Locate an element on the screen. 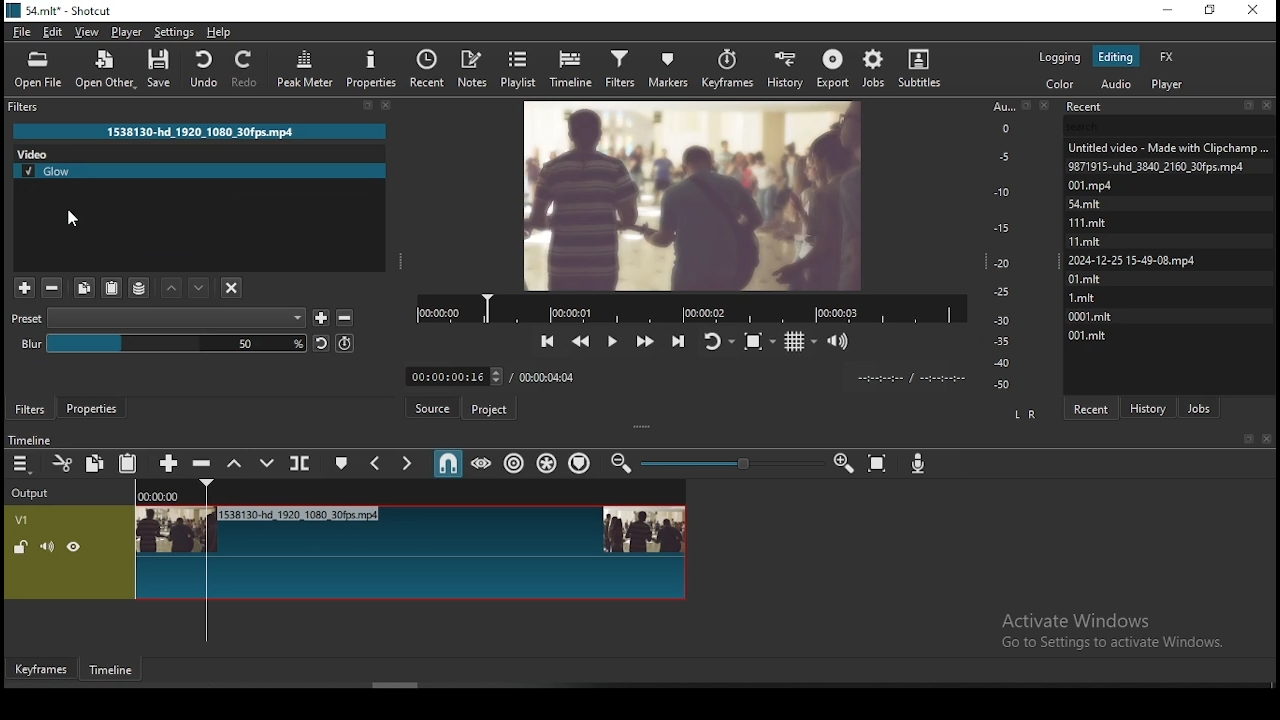 The width and height of the screenshot is (1280, 720). video progress bar is located at coordinates (691, 307).